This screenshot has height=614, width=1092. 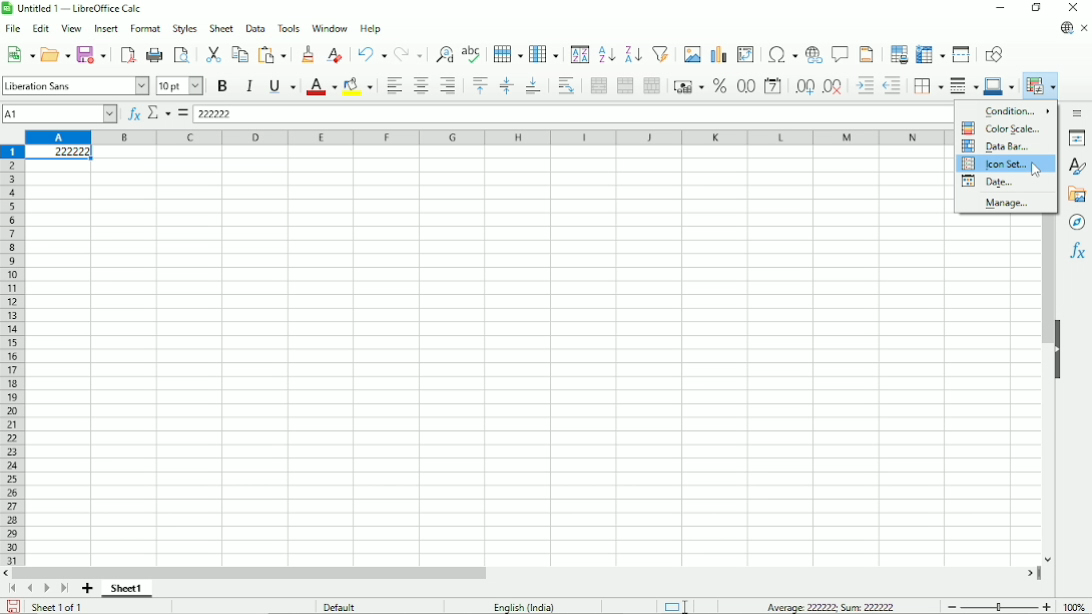 I want to click on Sidebar settings, so click(x=1078, y=112).